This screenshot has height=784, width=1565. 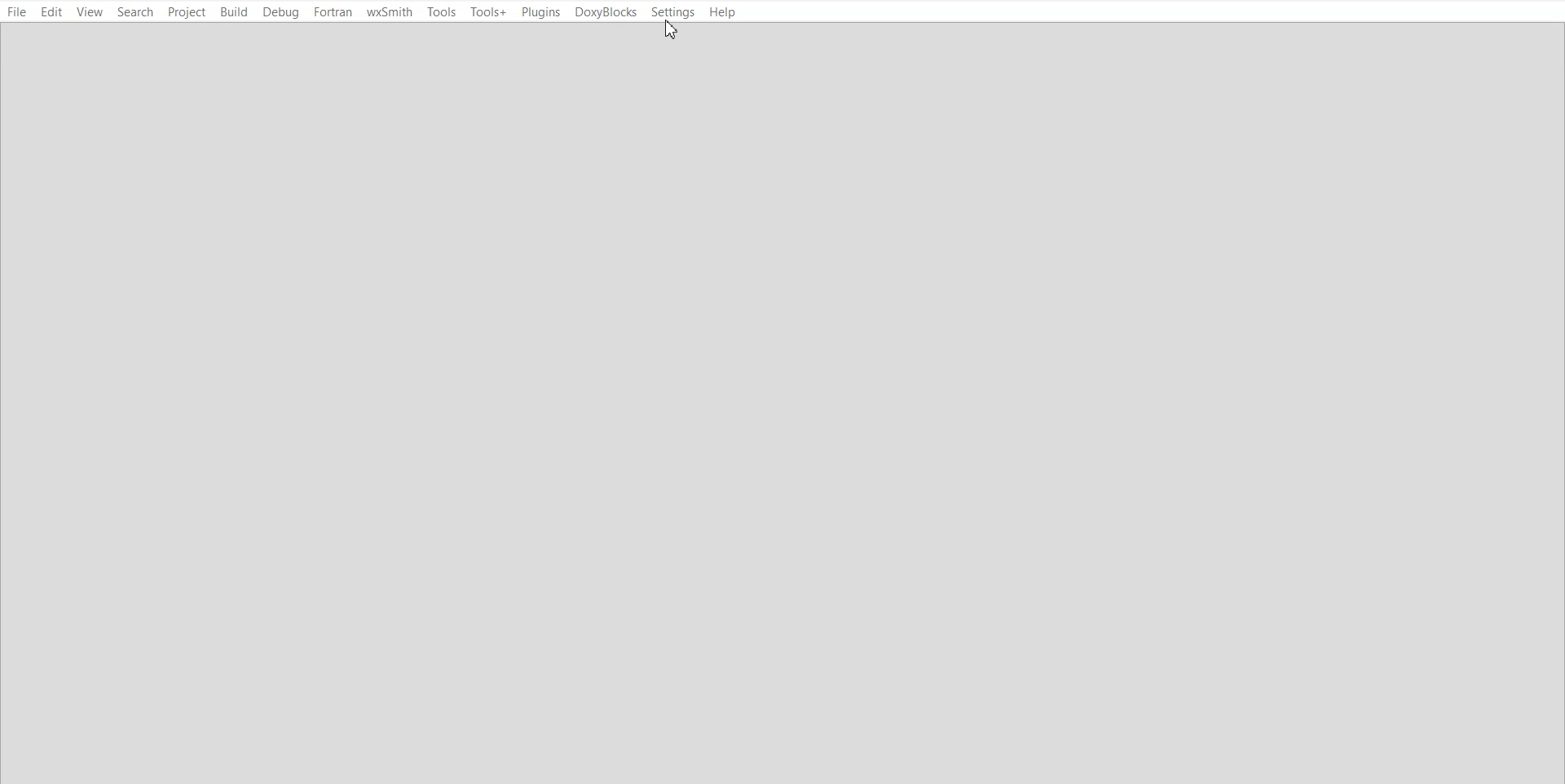 I want to click on File, so click(x=16, y=11).